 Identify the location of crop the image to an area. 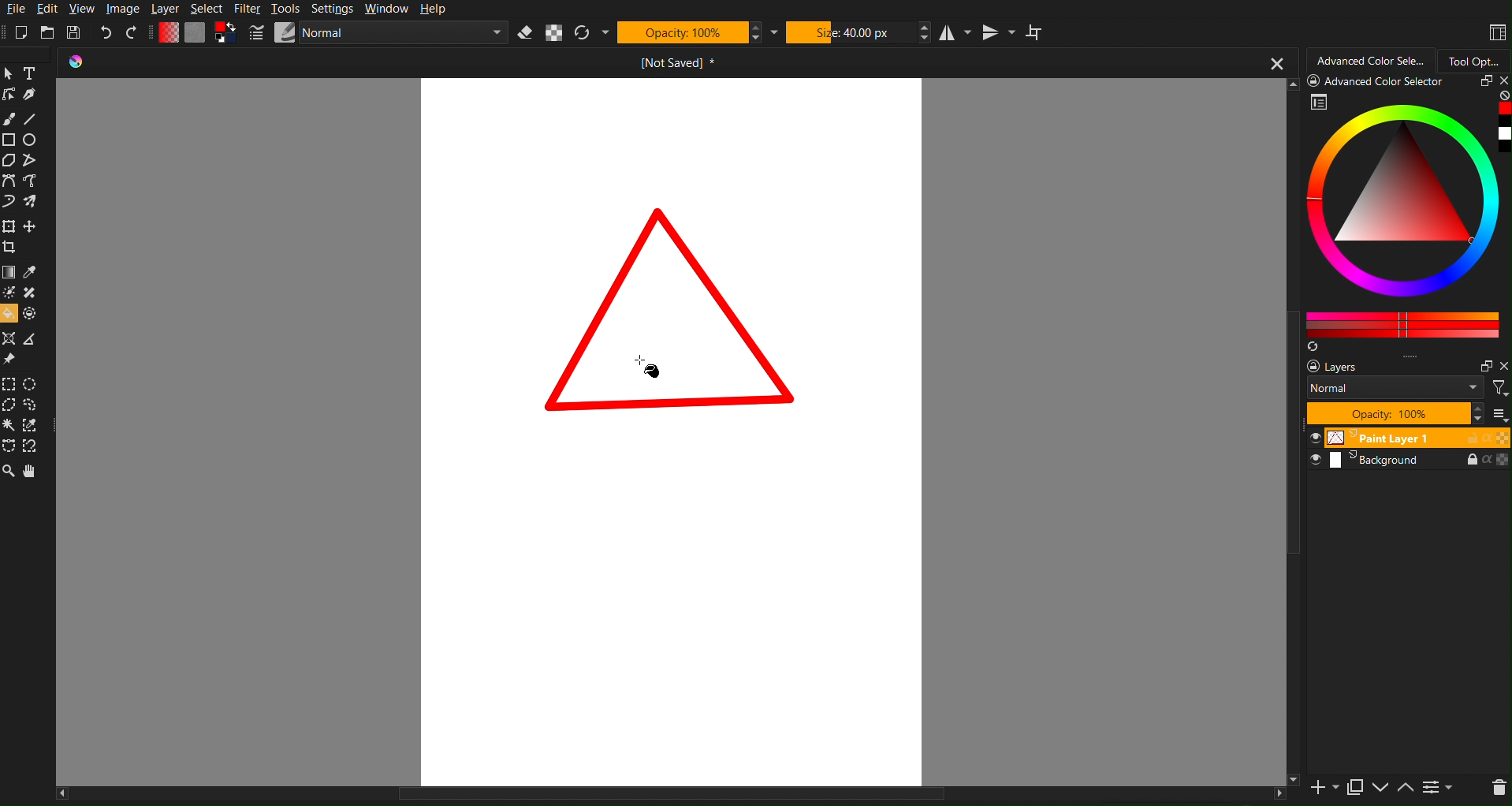
(9, 248).